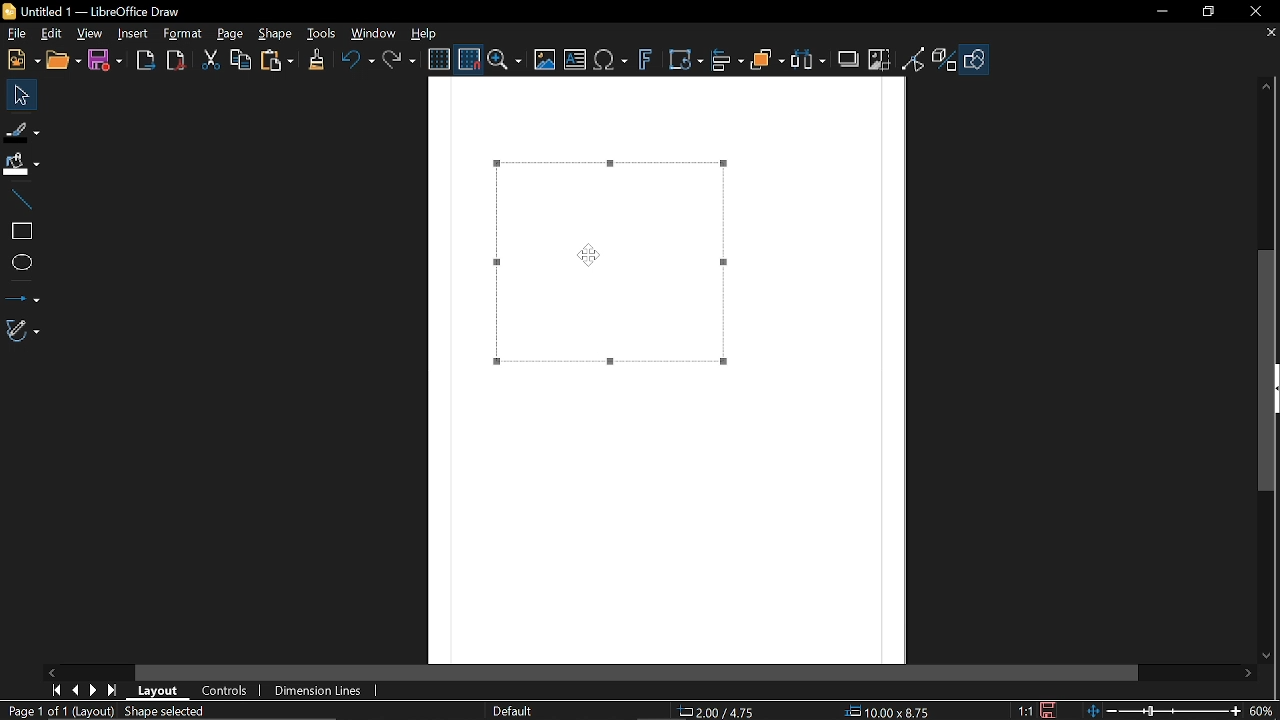 The height and width of the screenshot is (720, 1280). What do you see at coordinates (1023, 710) in the screenshot?
I see `proportion` at bounding box center [1023, 710].